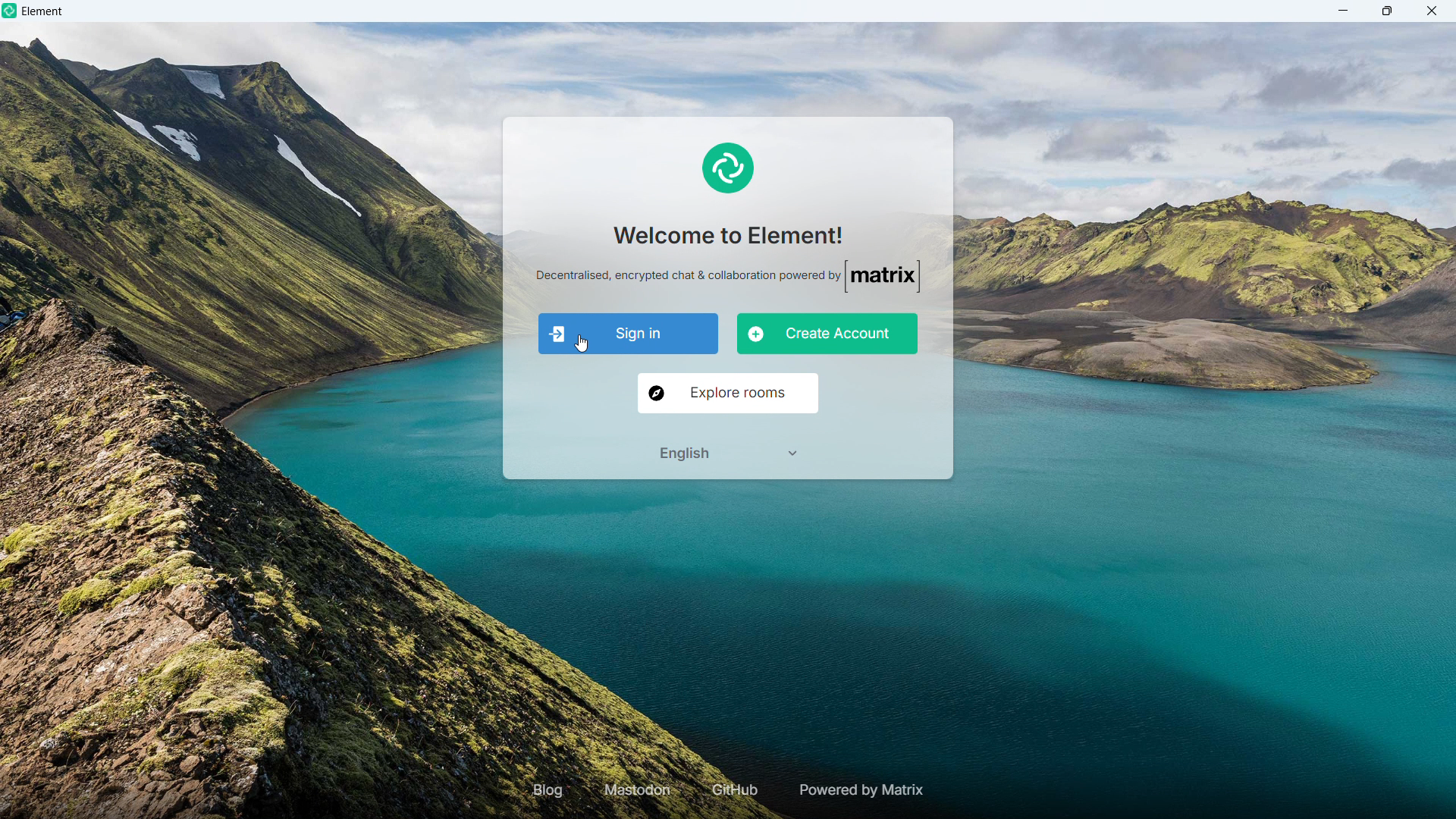  Describe the element at coordinates (628, 334) in the screenshot. I see `Sign in ` at that location.